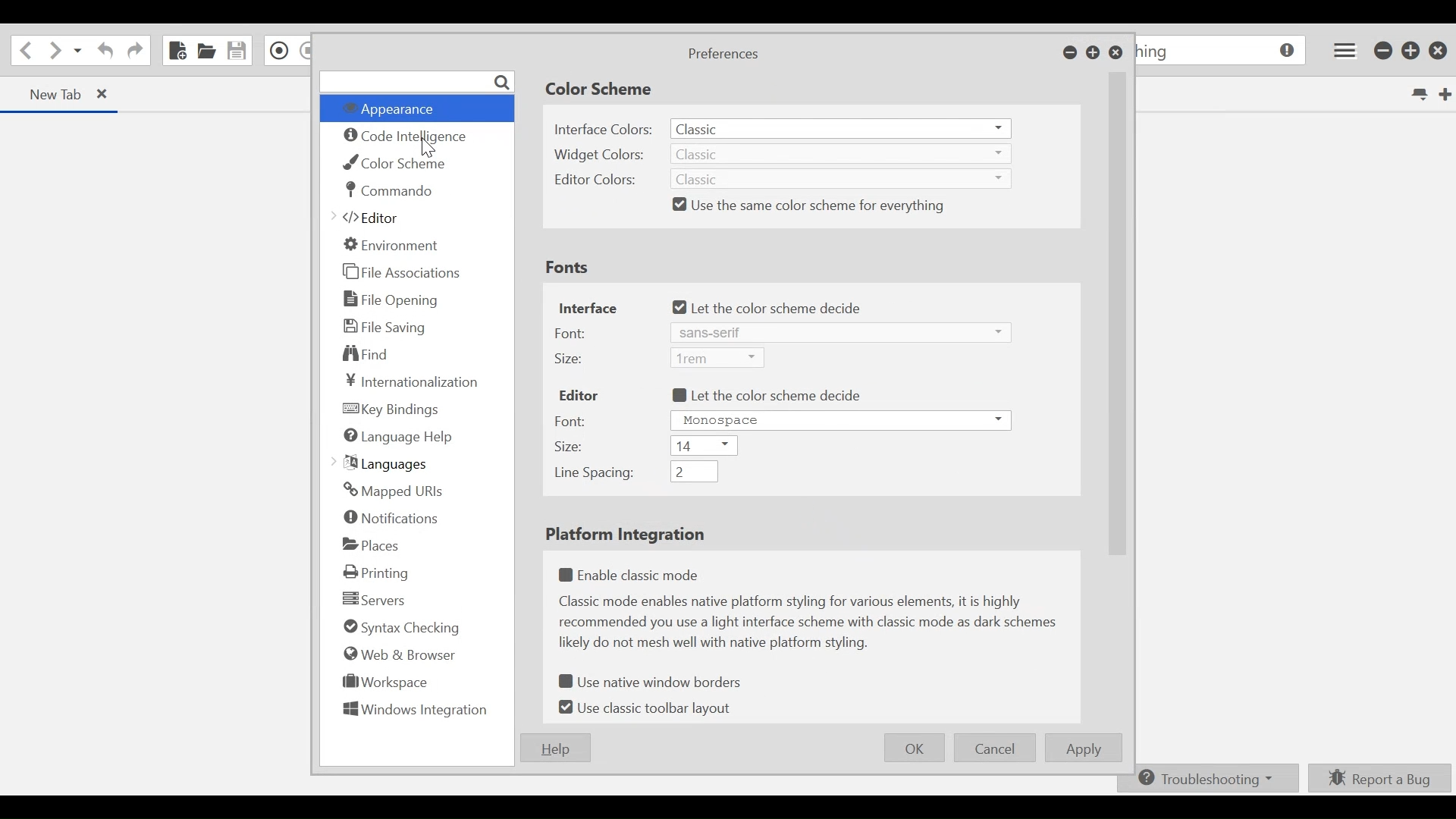  I want to click on New Tab, so click(46, 93).